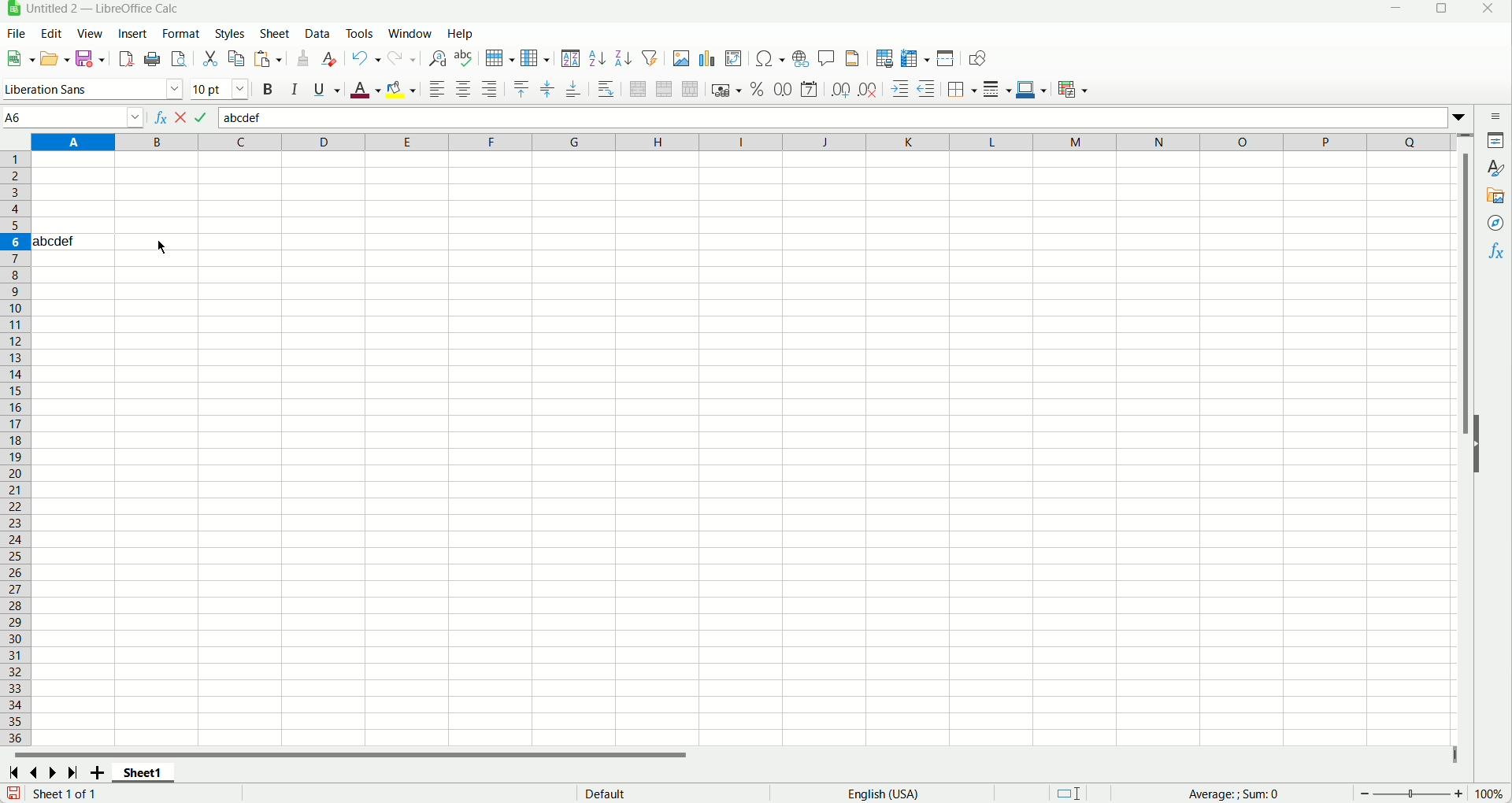 The width and height of the screenshot is (1512, 803). I want to click on 100%, so click(1488, 794).